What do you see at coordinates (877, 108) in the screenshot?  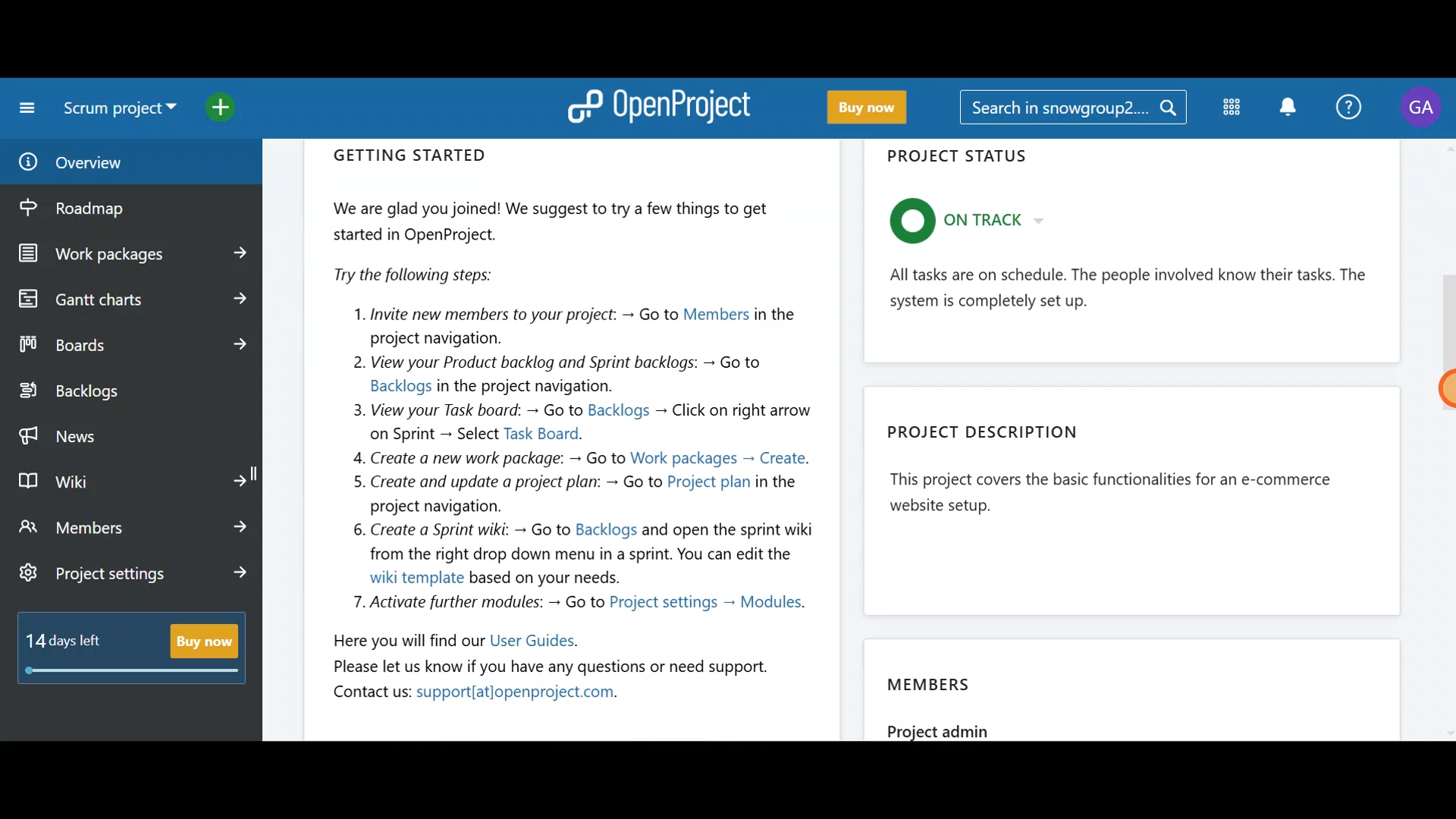 I see `Buy now` at bounding box center [877, 108].